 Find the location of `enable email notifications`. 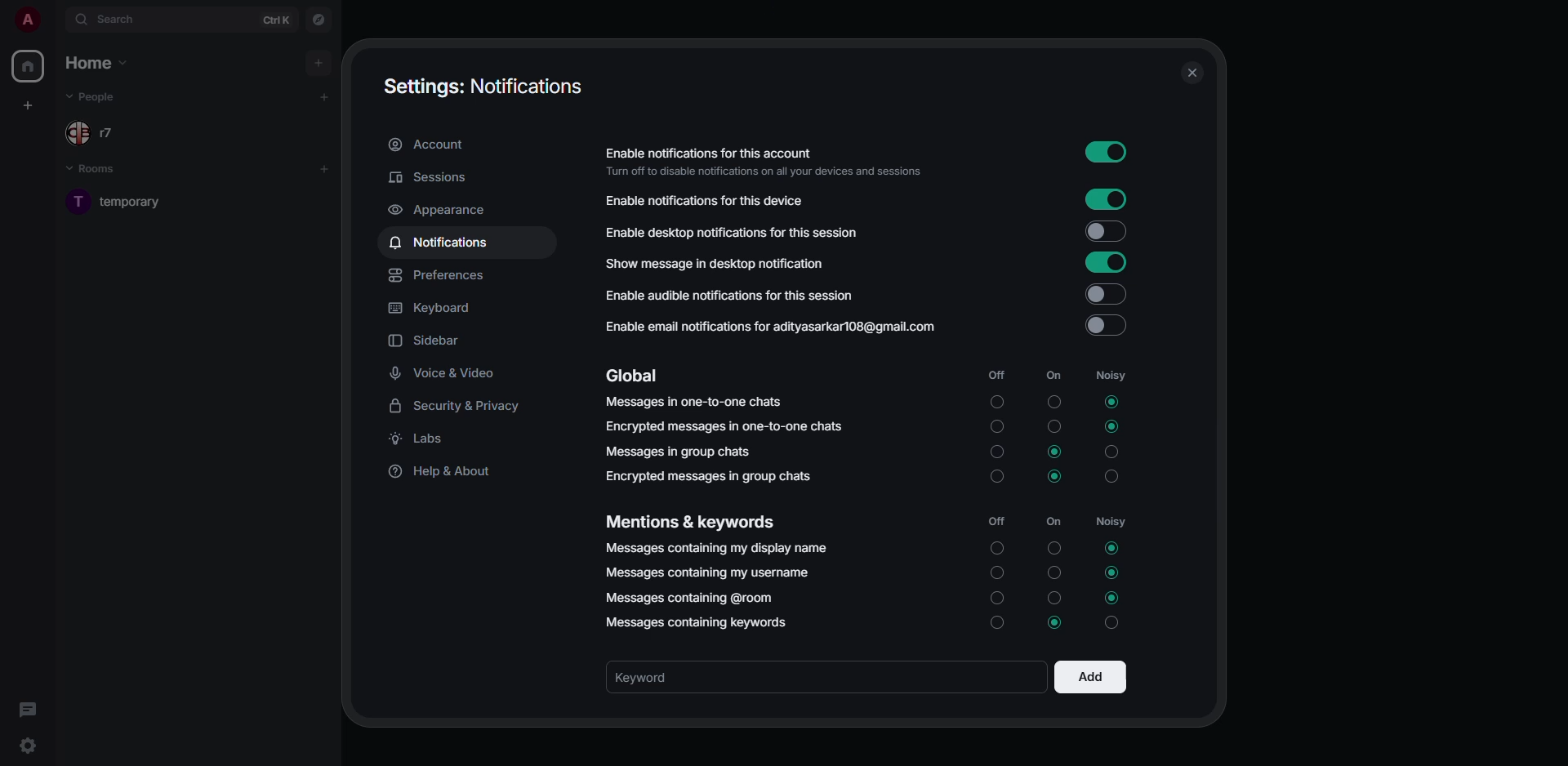

enable email notifications is located at coordinates (769, 325).